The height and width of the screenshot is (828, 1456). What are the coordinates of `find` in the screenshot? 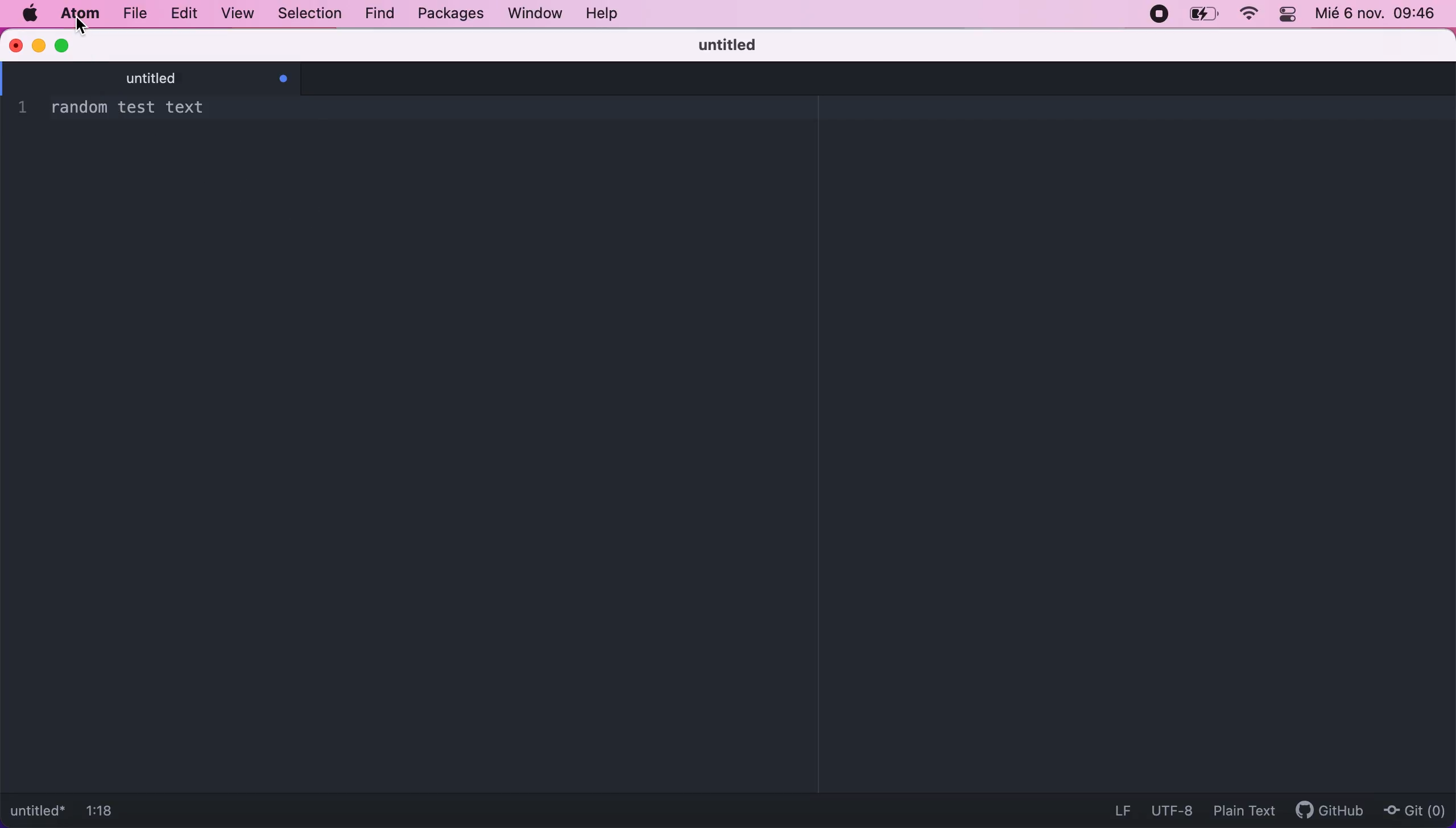 It's located at (380, 15).